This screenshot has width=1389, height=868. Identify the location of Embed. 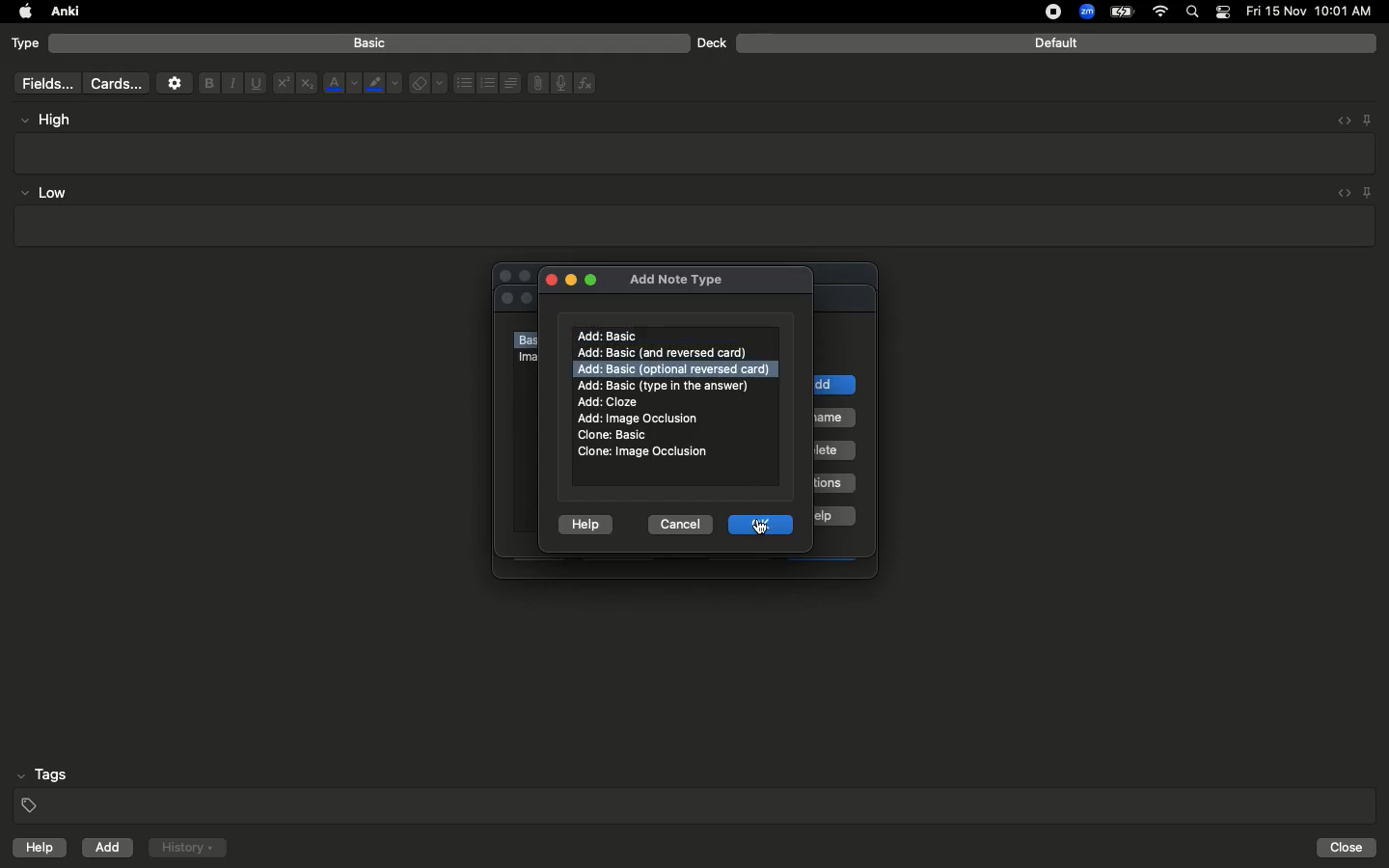
(1340, 194).